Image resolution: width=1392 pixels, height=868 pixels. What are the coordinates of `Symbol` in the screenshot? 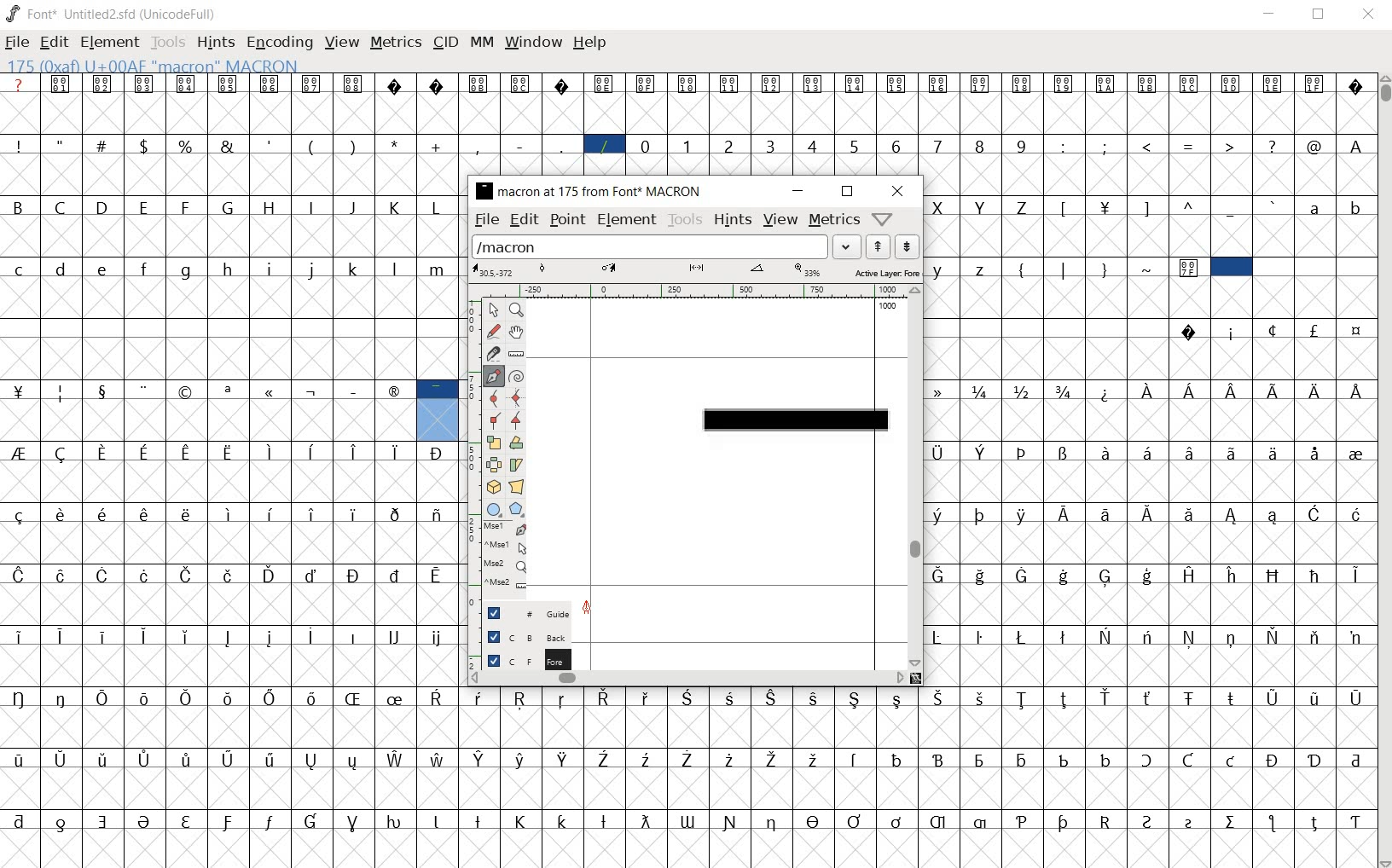 It's located at (148, 575).